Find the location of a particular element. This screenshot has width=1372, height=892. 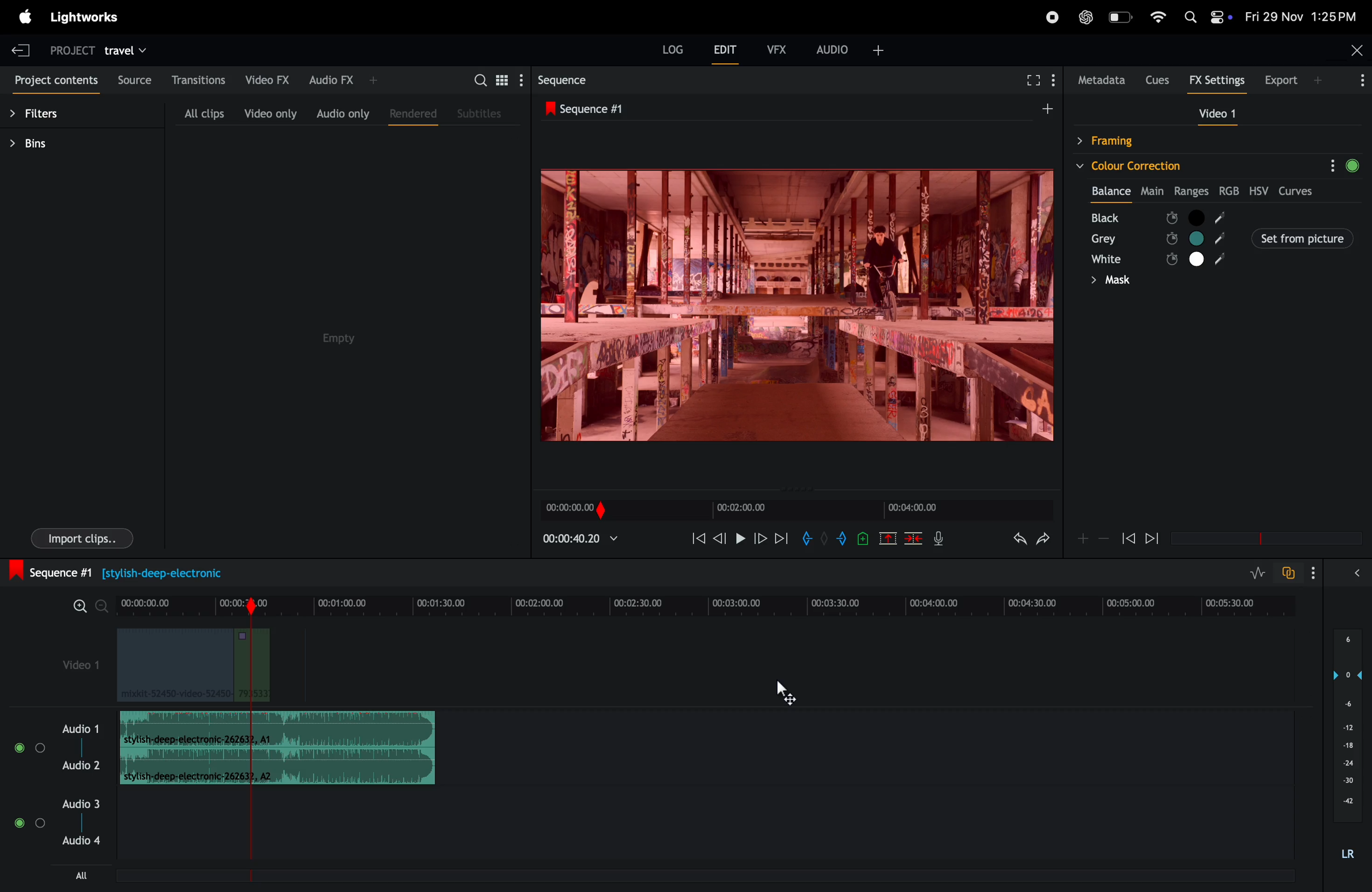

rendered is located at coordinates (413, 115).